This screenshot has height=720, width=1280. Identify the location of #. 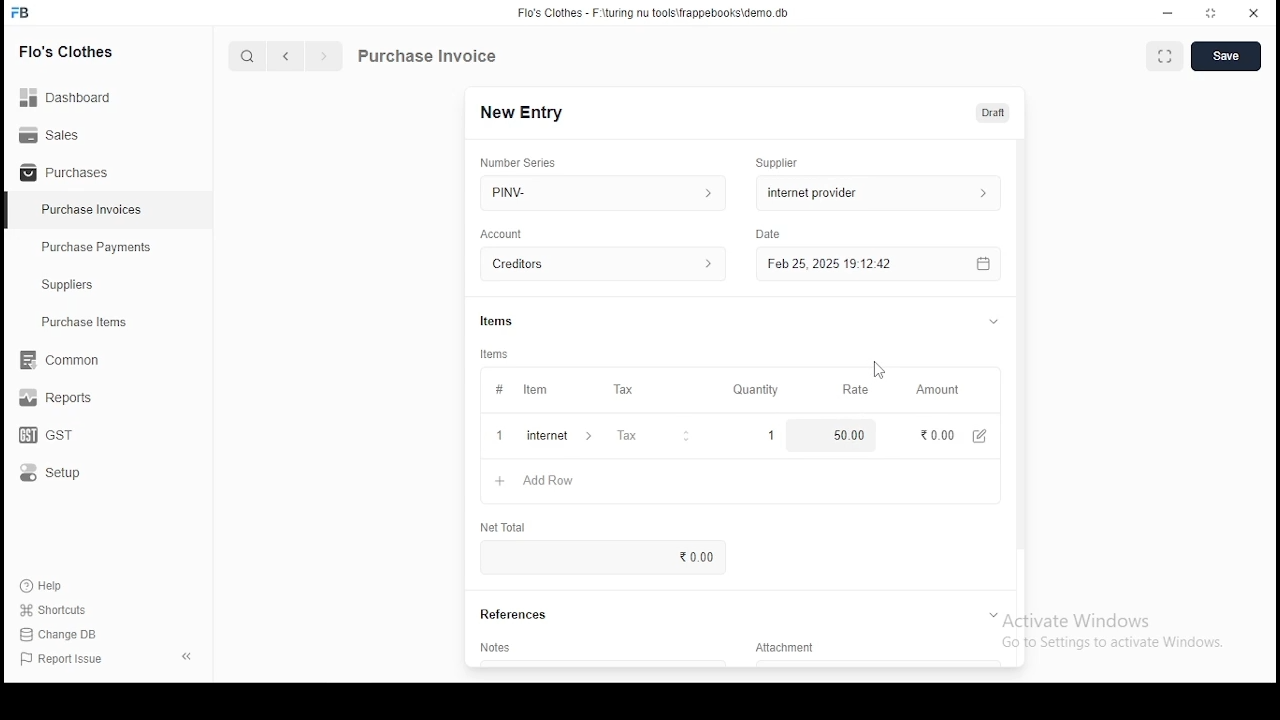
(499, 391).